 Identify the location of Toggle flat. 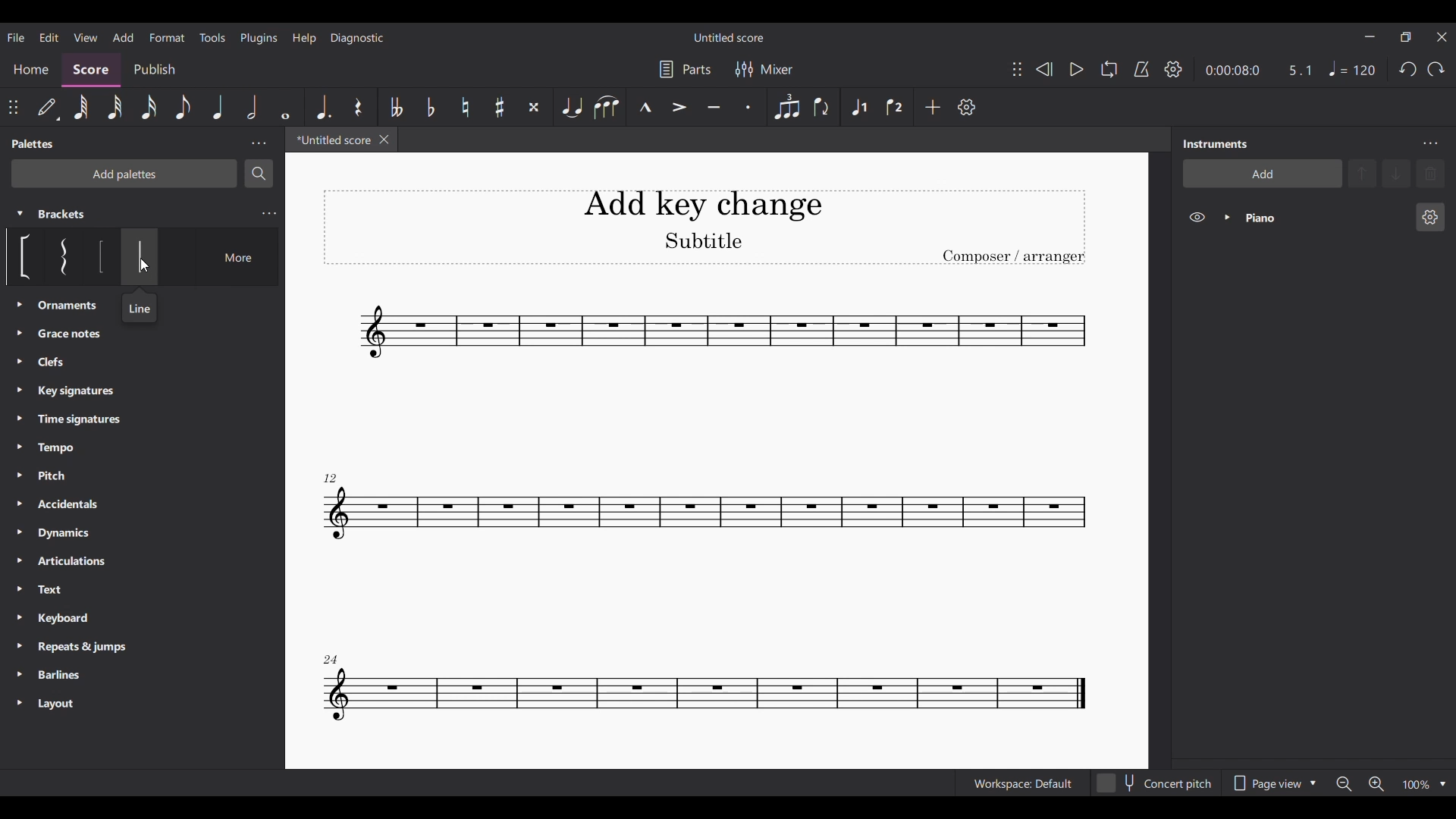
(431, 108).